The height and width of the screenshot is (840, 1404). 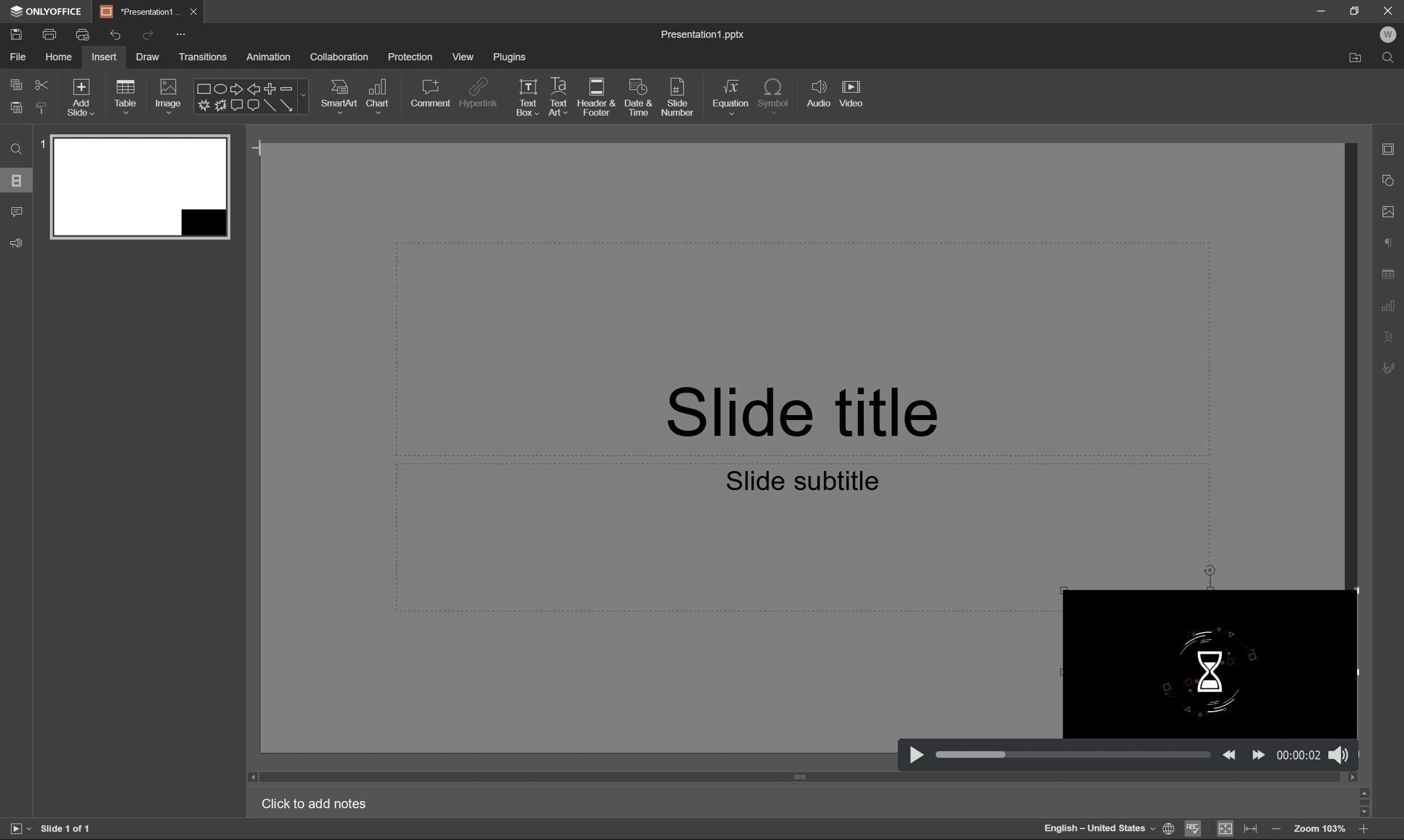 What do you see at coordinates (1319, 9) in the screenshot?
I see `minimize` at bounding box center [1319, 9].